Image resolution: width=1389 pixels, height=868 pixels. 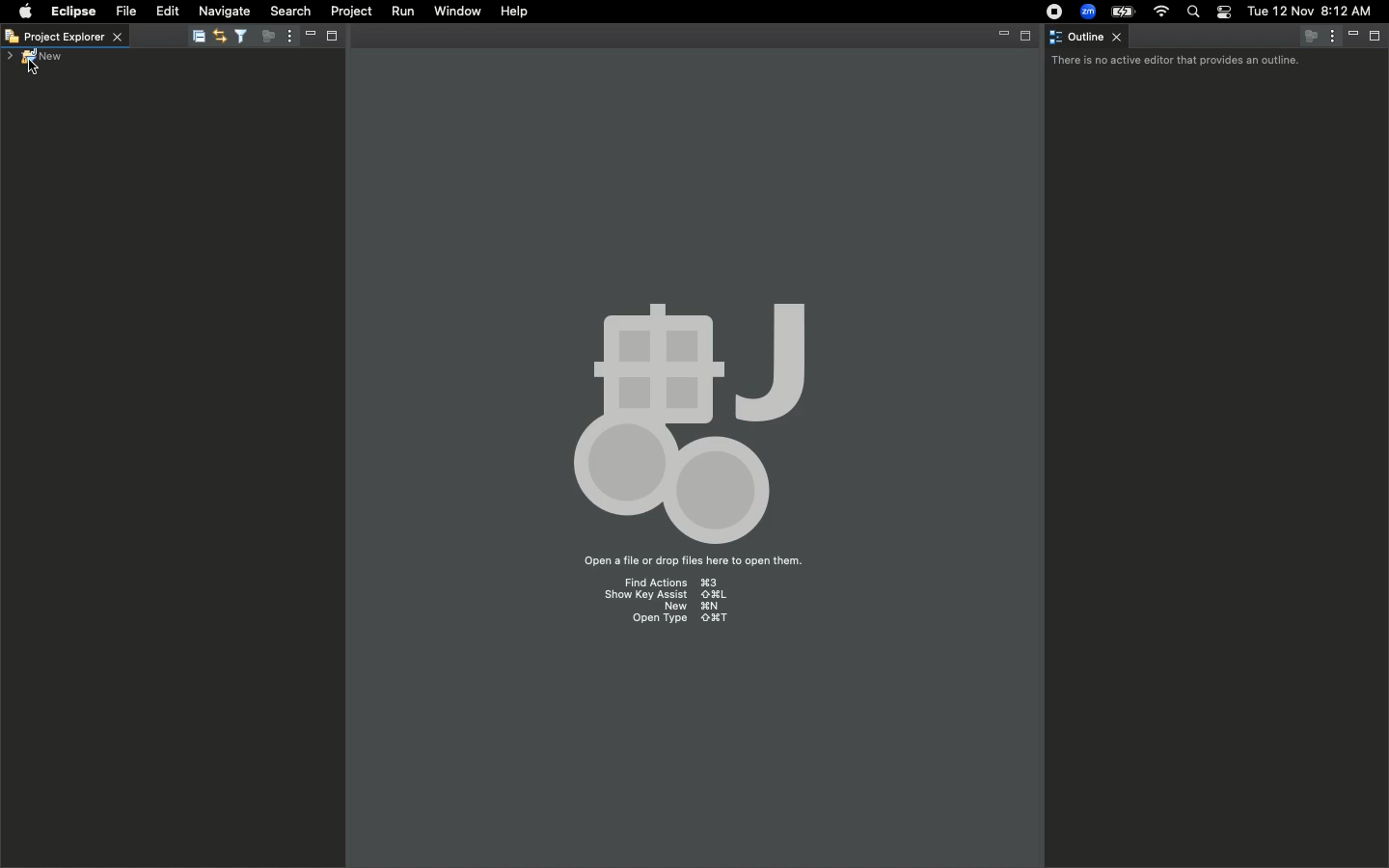 What do you see at coordinates (1119, 14) in the screenshot?
I see `Charge` at bounding box center [1119, 14].